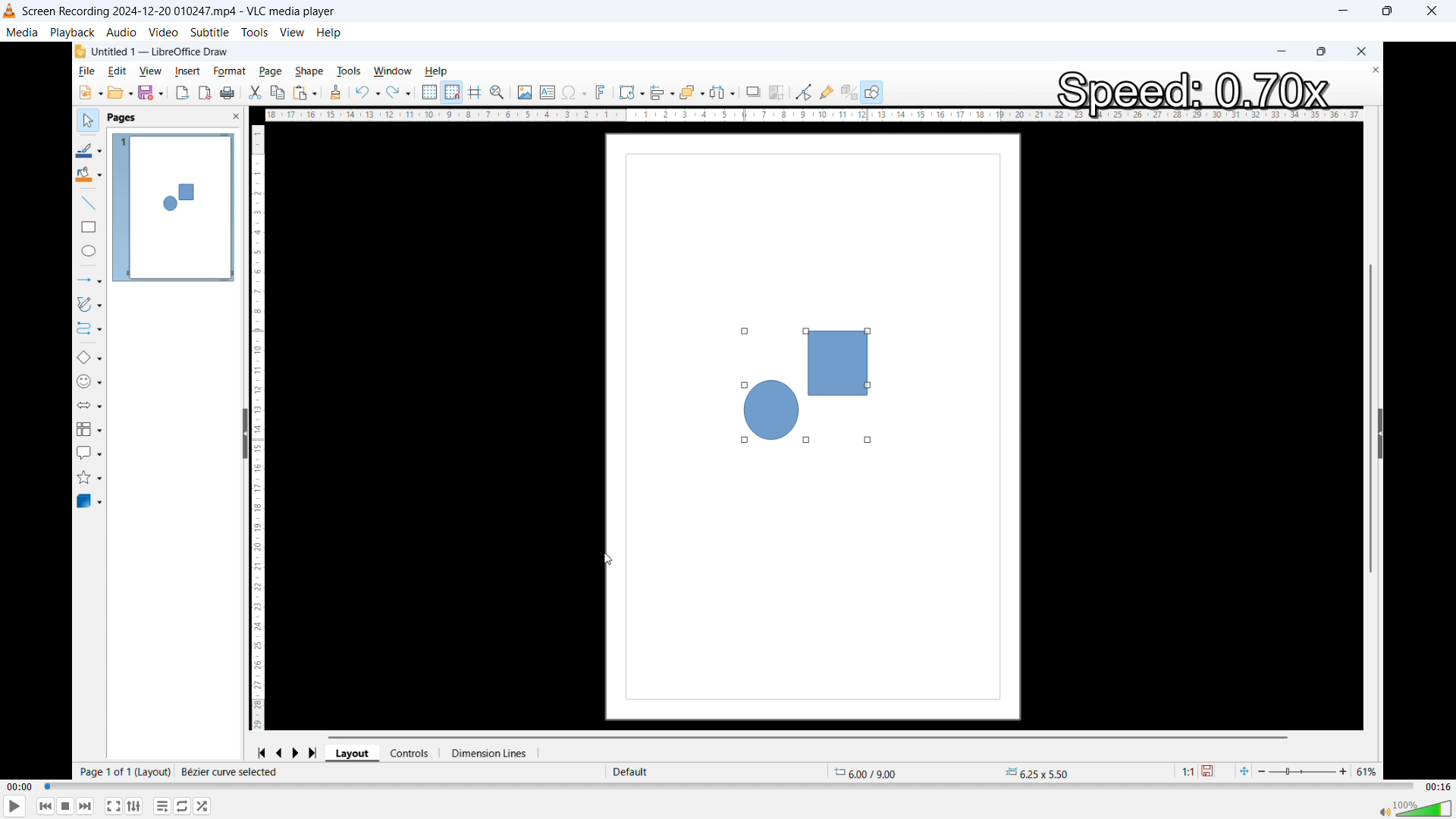 Image resolution: width=1456 pixels, height=819 pixels. What do you see at coordinates (122, 32) in the screenshot?
I see `Audio ` at bounding box center [122, 32].